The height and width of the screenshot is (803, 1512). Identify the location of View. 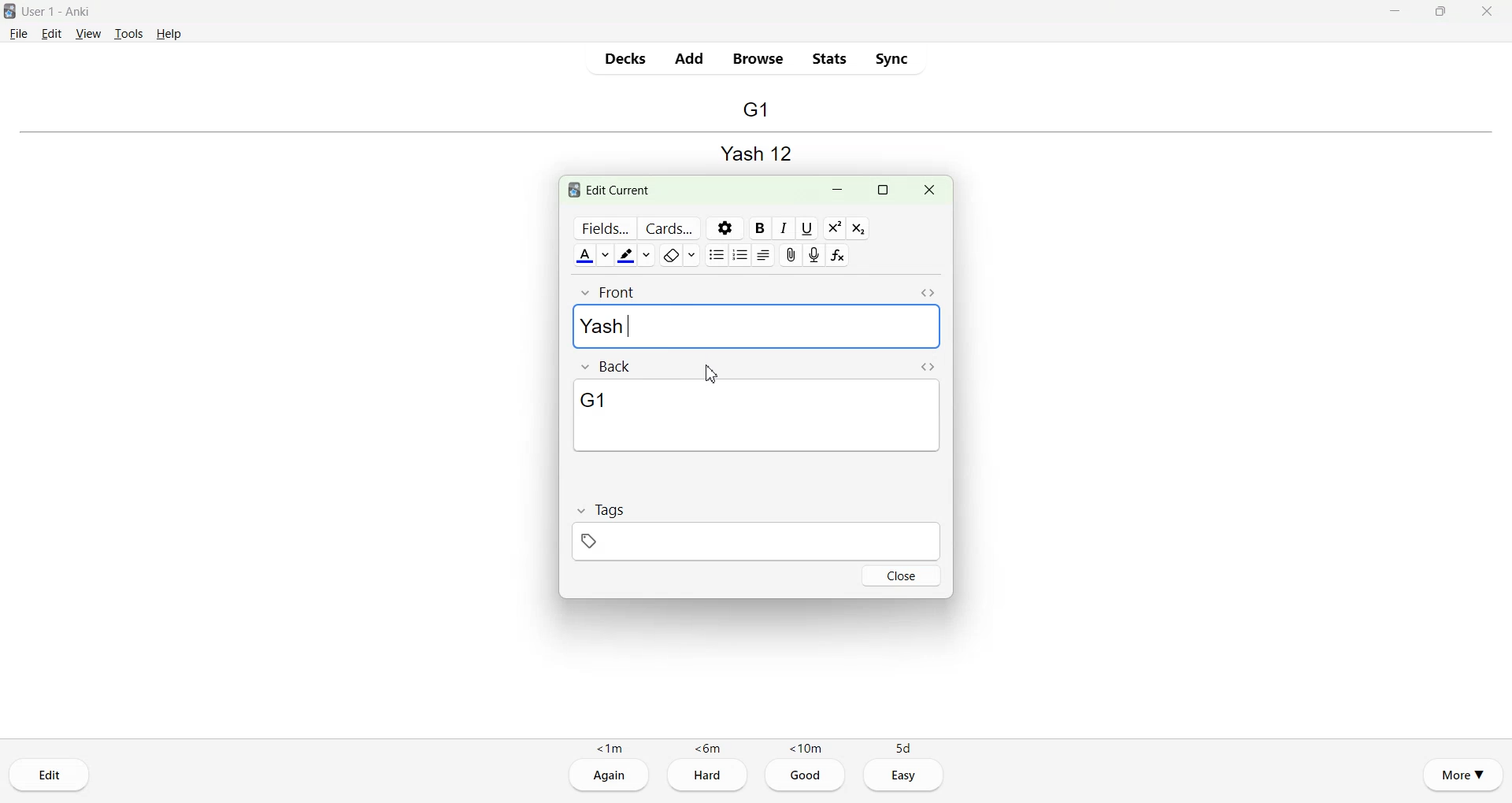
(89, 33).